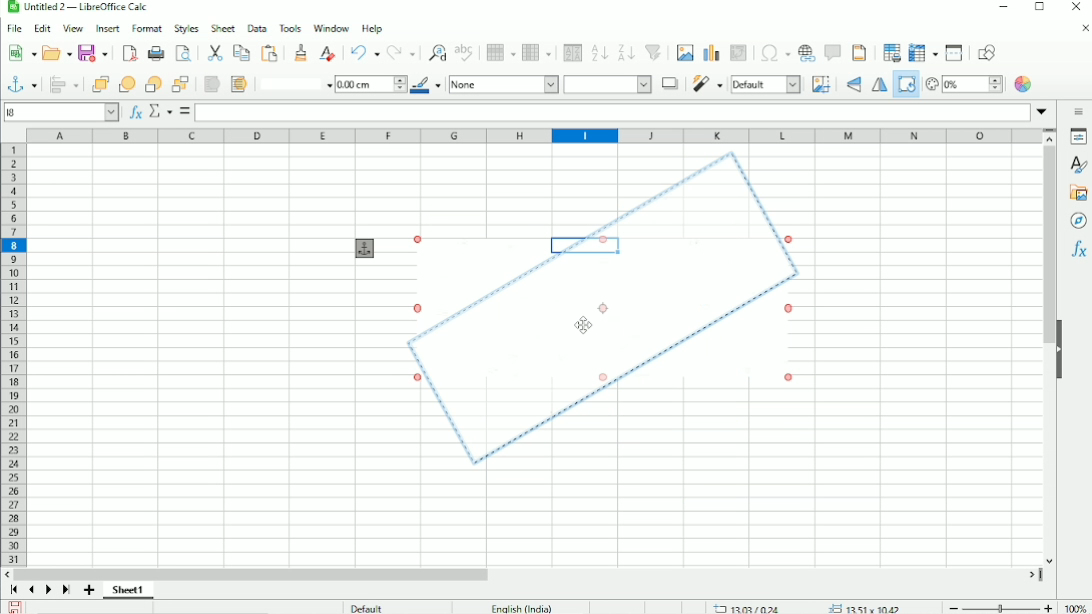  What do you see at coordinates (739, 53) in the screenshot?
I see `Insert or edit pivot table` at bounding box center [739, 53].